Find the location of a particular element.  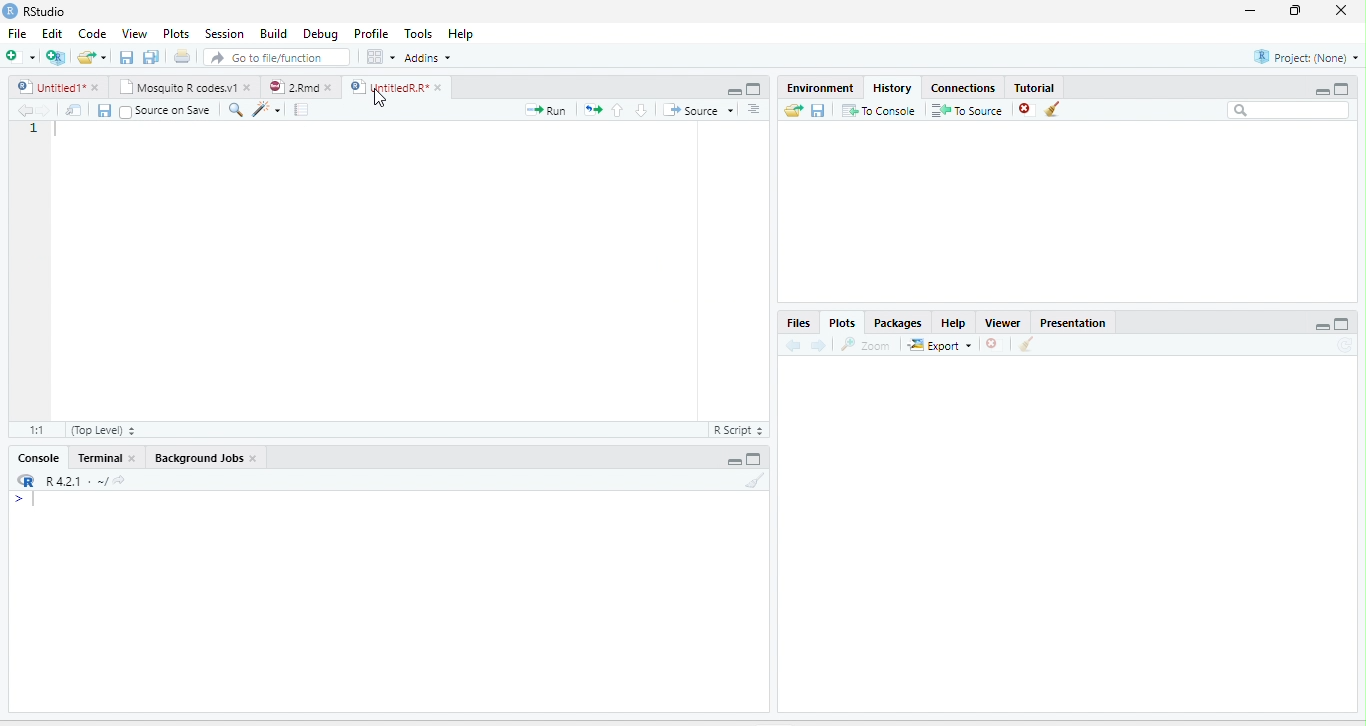

Maximize is located at coordinates (1342, 88).